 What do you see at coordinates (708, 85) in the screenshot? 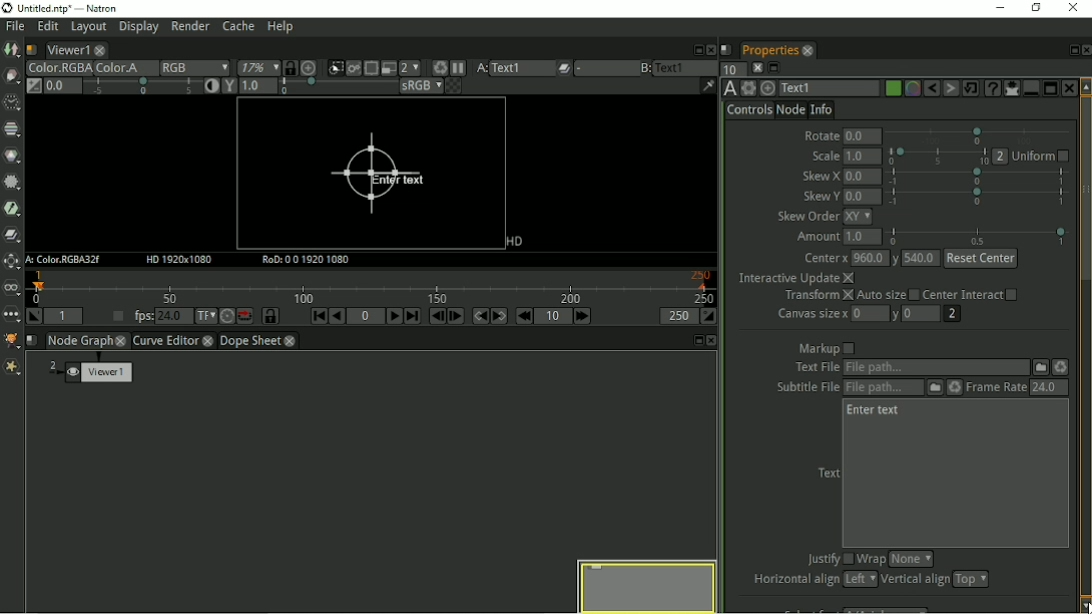
I see `Show/hide information bar` at bounding box center [708, 85].